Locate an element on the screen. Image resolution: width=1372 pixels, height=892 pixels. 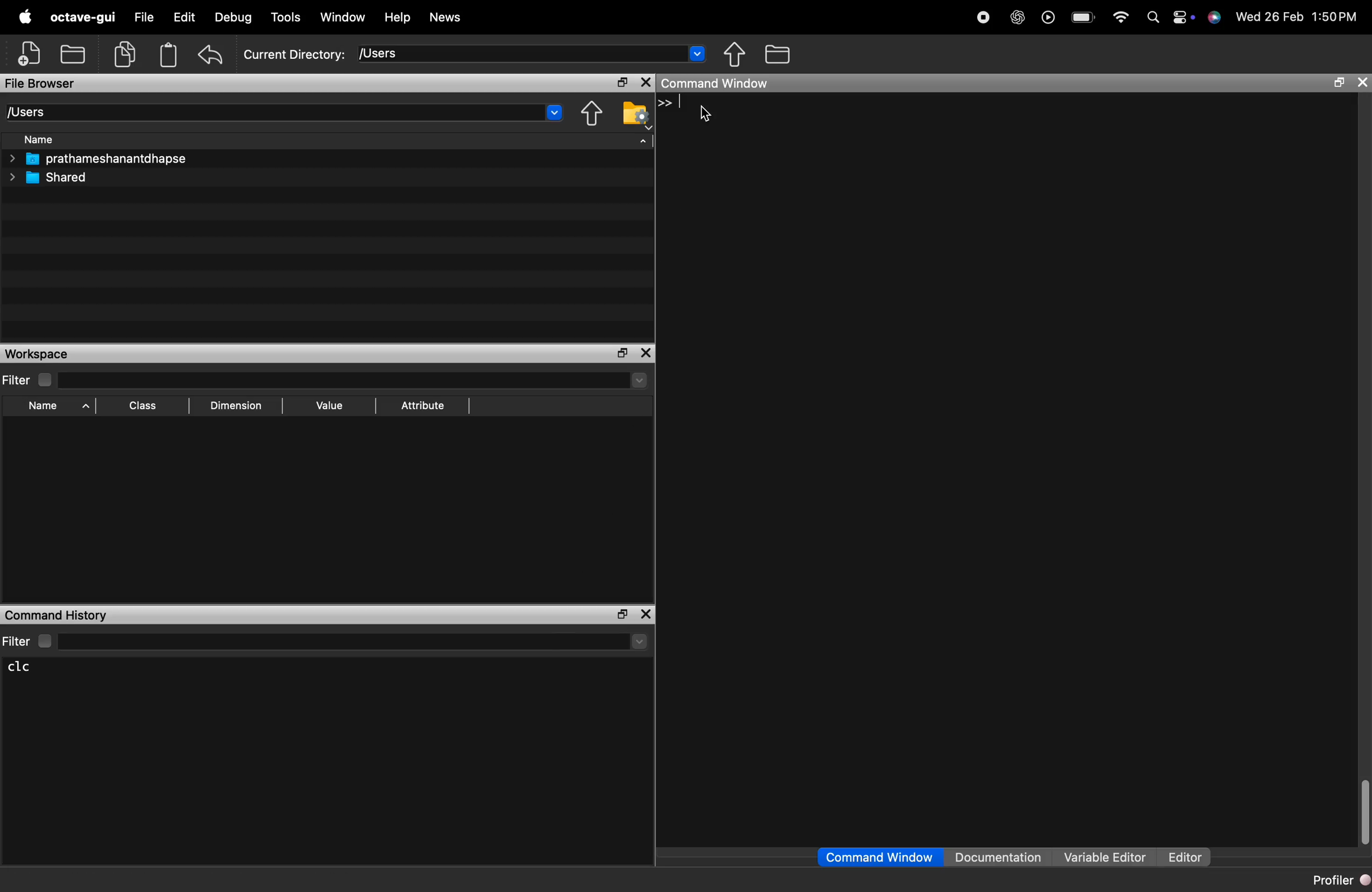
play is located at coordinates (1045, 17).